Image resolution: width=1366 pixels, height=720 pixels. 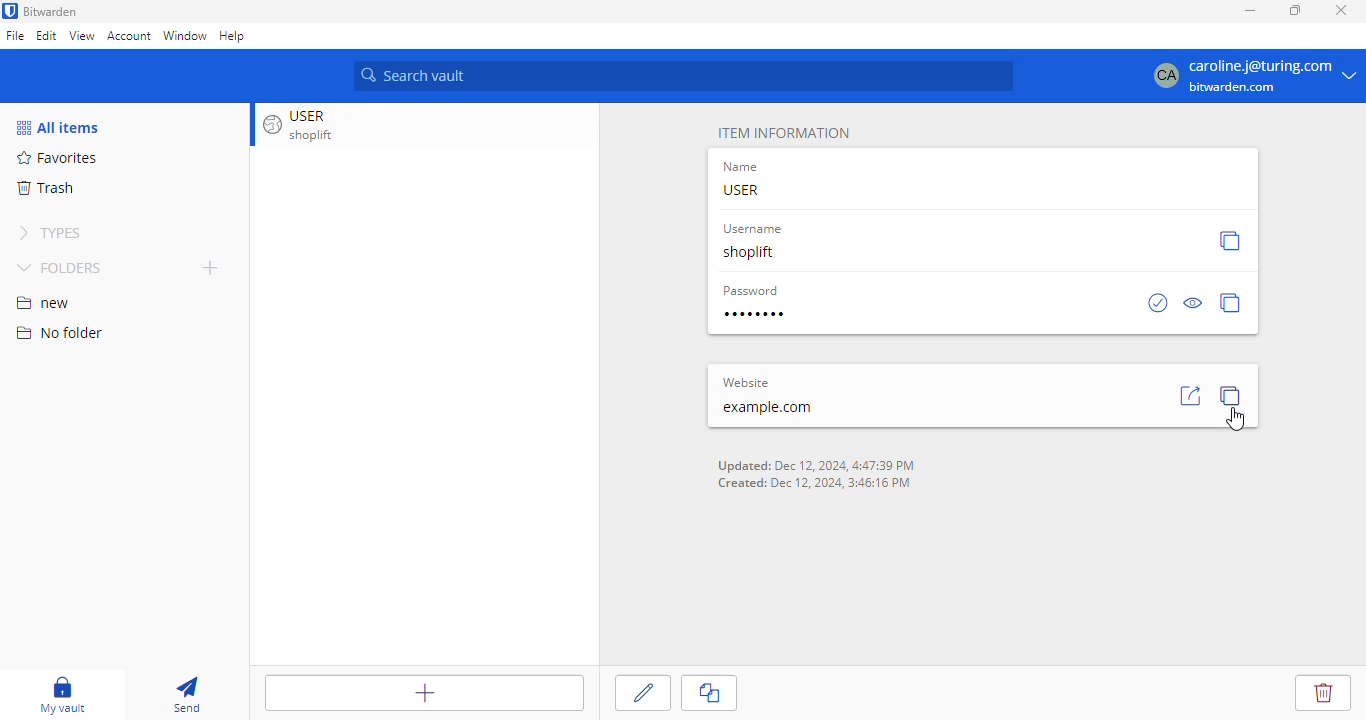 I want to click on copy URL, so click(x=1233, y=394).